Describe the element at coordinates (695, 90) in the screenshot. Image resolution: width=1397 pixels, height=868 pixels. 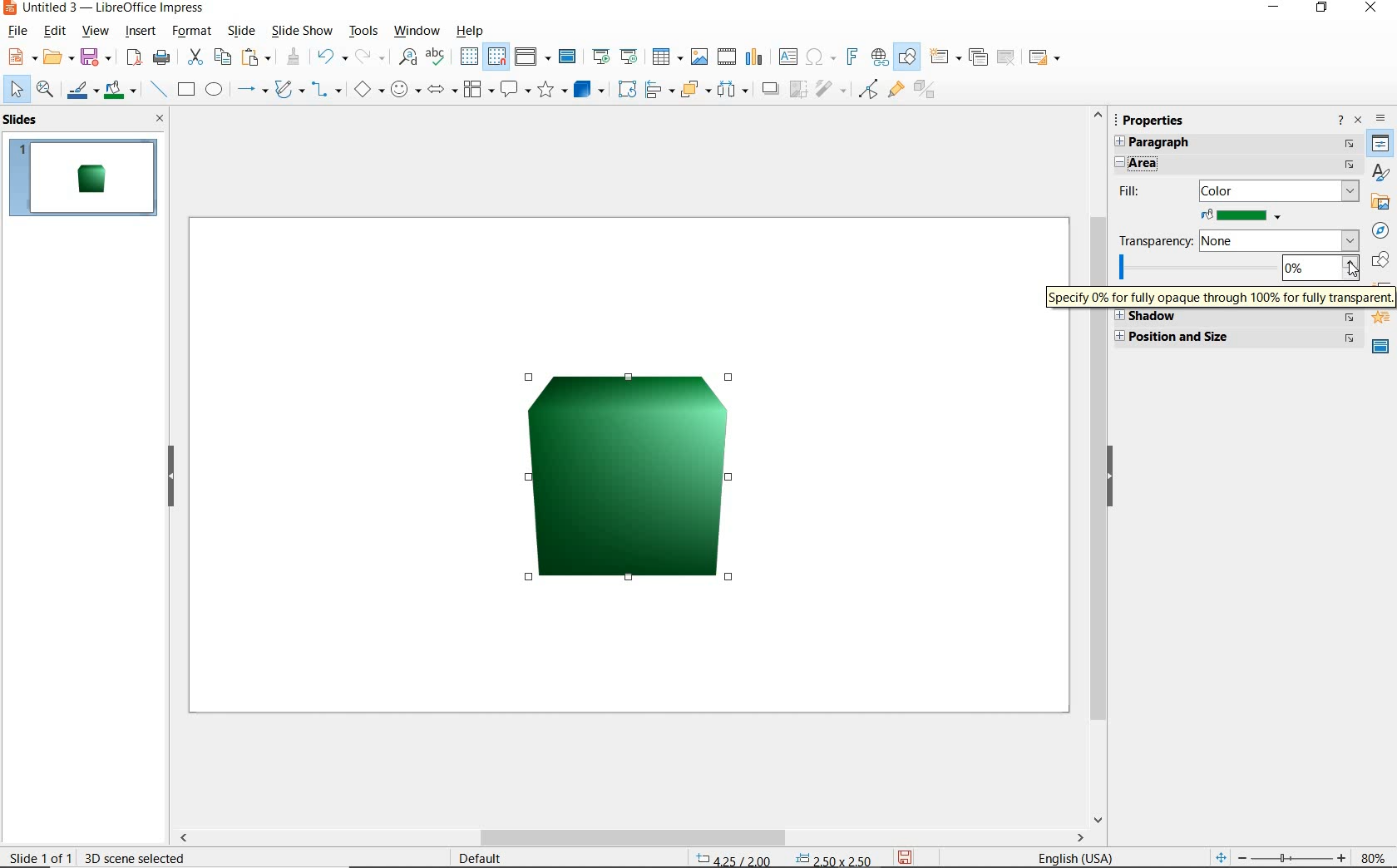
I see `ARRANGE` at that location.